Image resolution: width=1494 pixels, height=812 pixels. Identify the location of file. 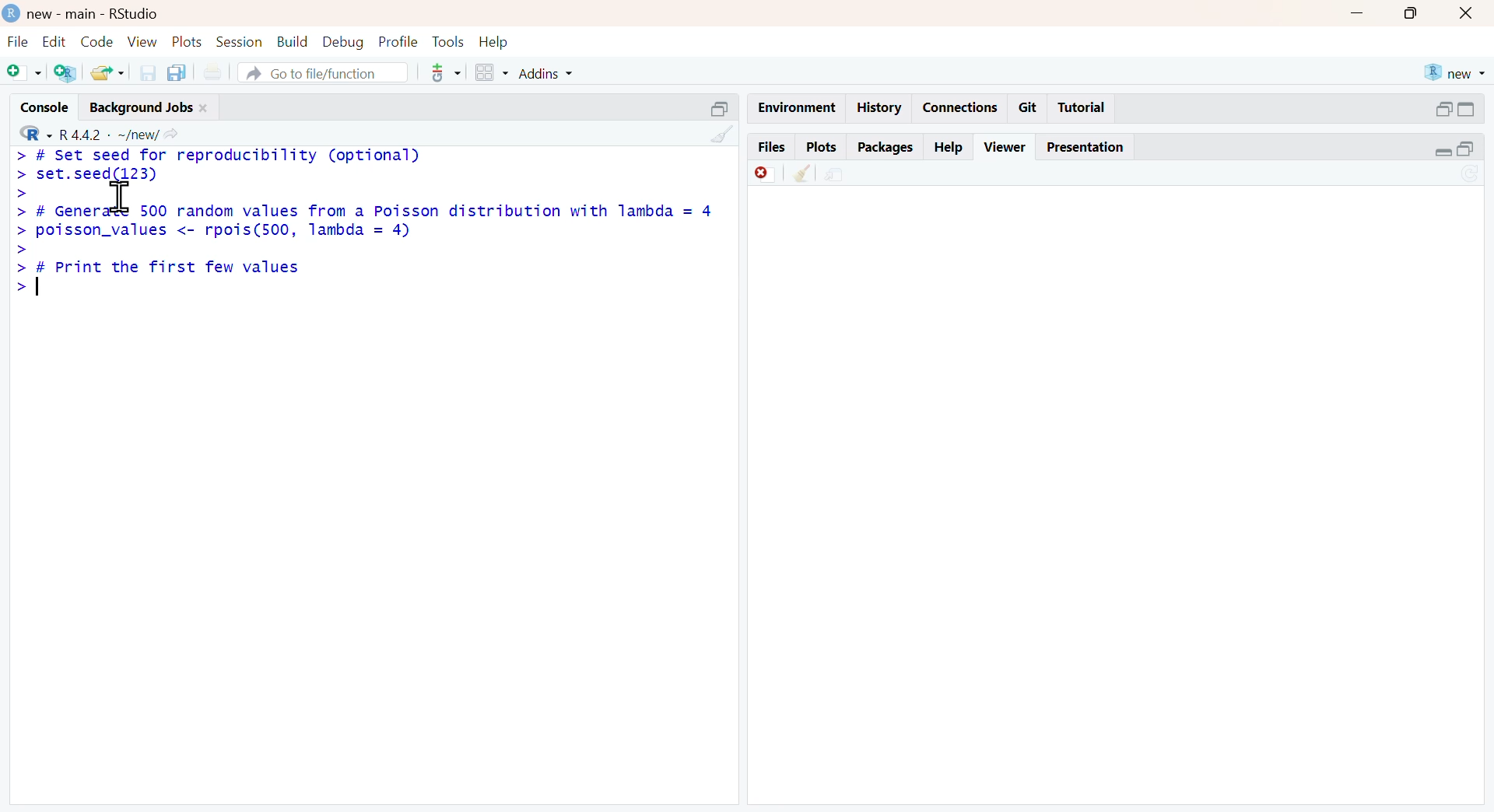
(20, 41).